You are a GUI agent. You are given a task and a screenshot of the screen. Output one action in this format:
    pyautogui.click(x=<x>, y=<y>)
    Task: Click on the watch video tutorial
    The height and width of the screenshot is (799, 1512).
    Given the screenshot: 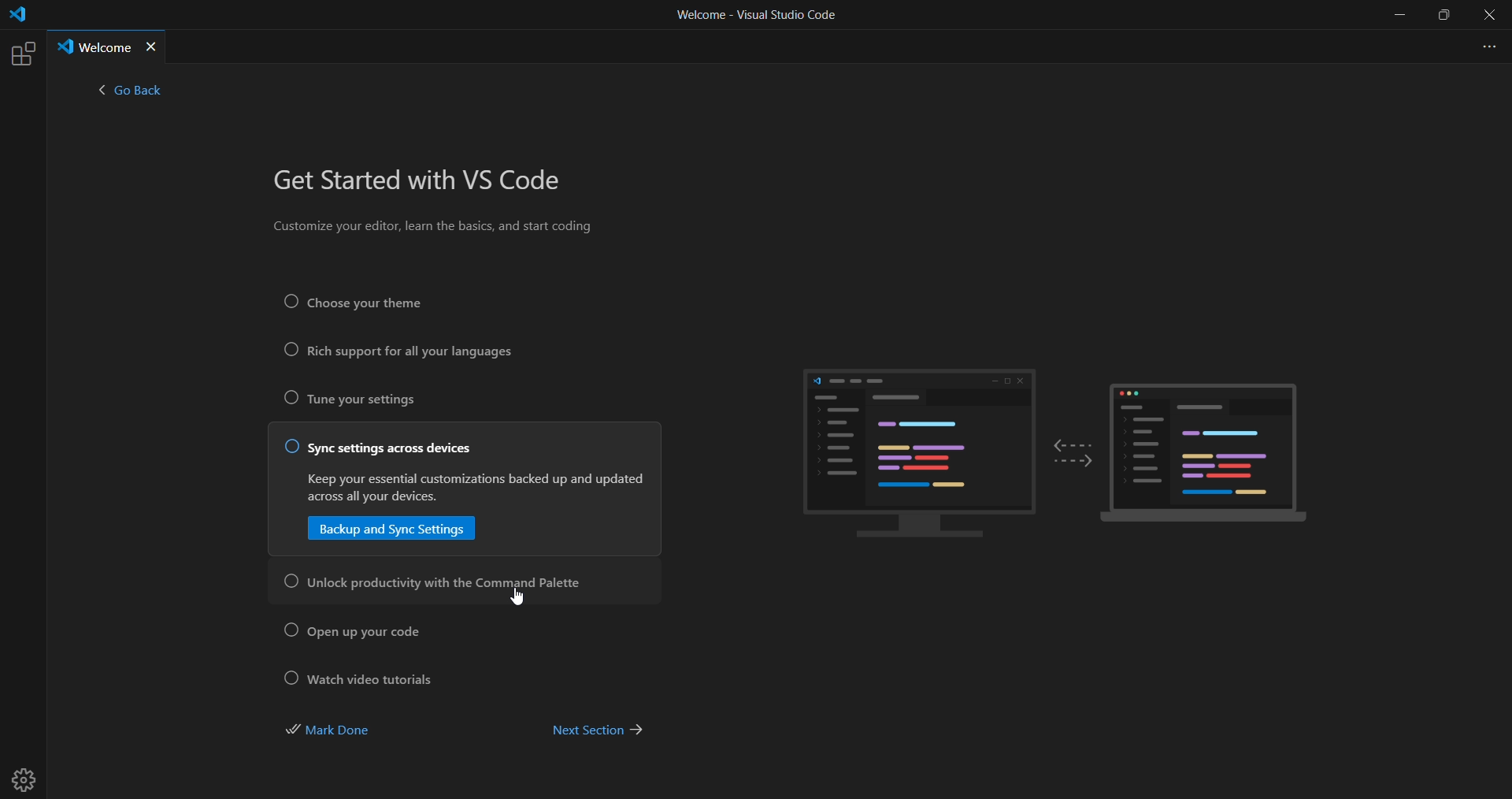 What is the action you would take?
    pyautogui.click(x=365, y=677)
    